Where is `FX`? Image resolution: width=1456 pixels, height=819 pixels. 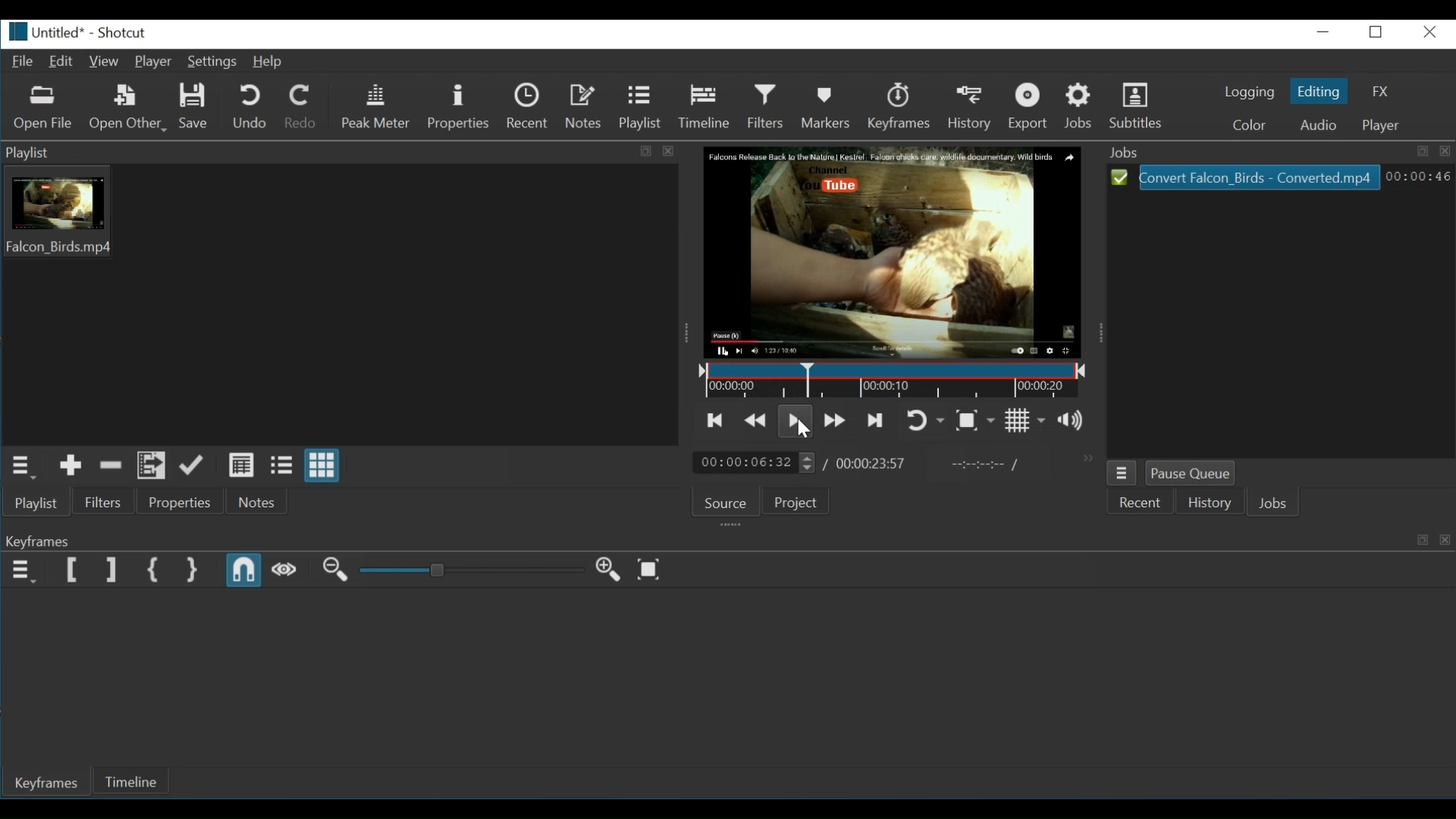 FX is located at coordinates (1381, 91).